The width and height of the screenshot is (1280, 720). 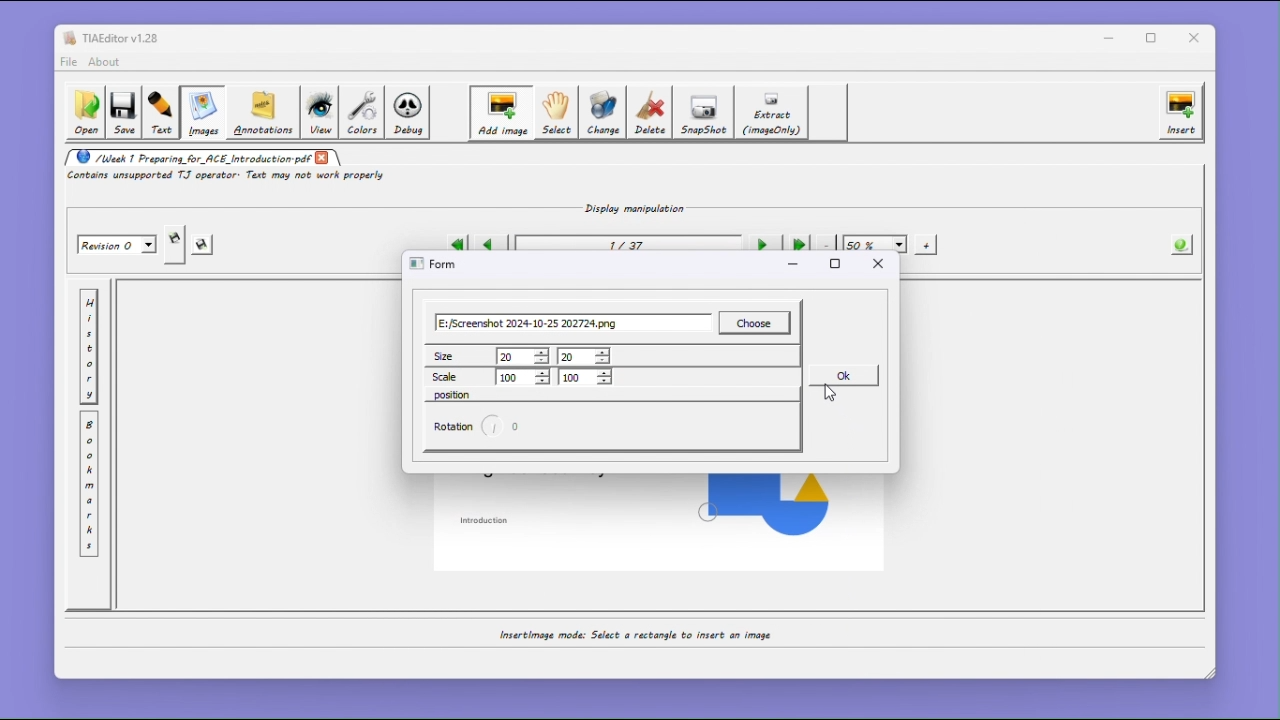 What do you see at coordinates (793, 268) in the screenshot?
I see `minimize` at bounding box center [793, 268].